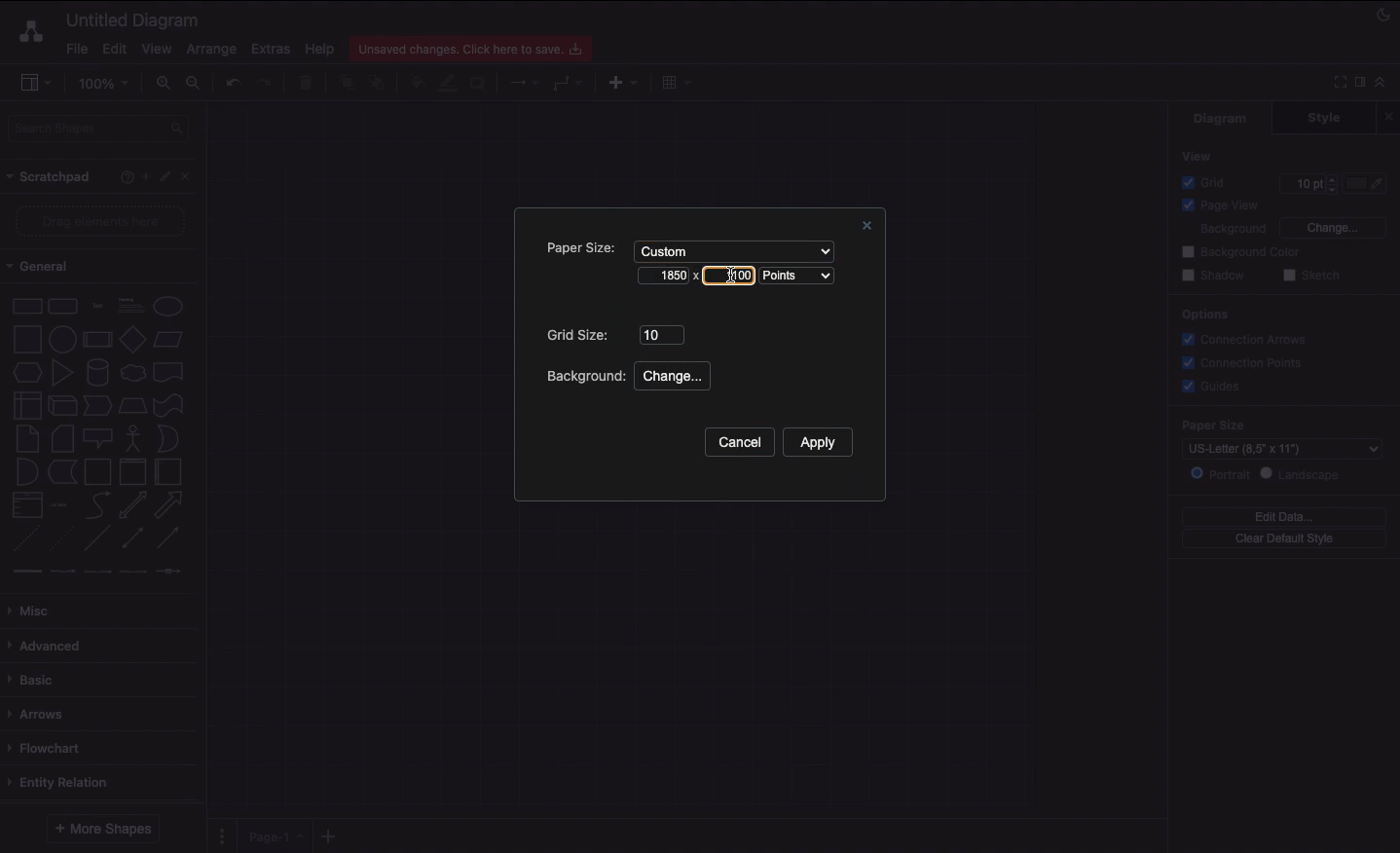 This screenshot has height=853, width=1400. I want to click on Arrow, so click(169, 505).